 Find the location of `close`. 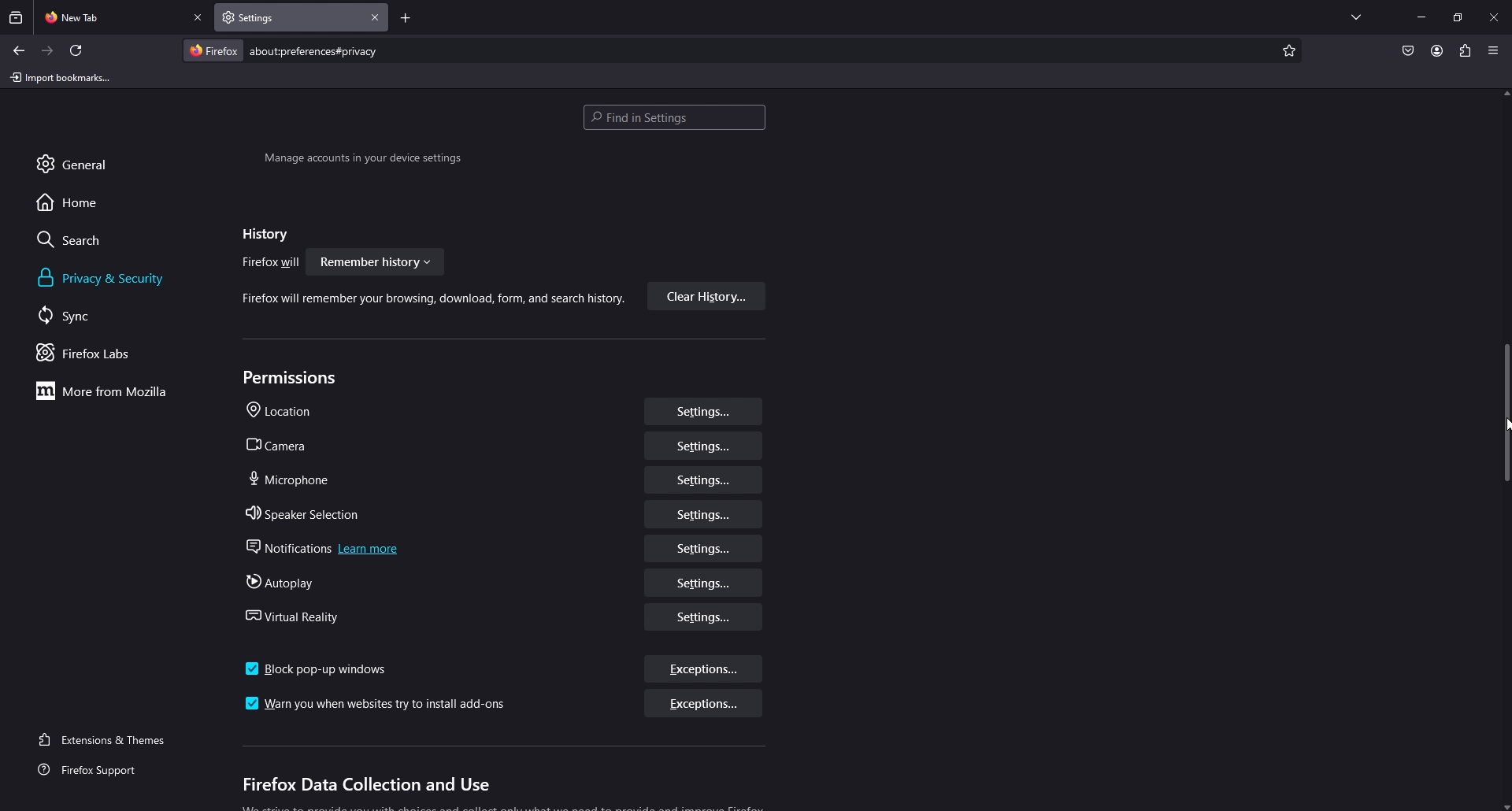

close is located at coordinates (1495, 16).